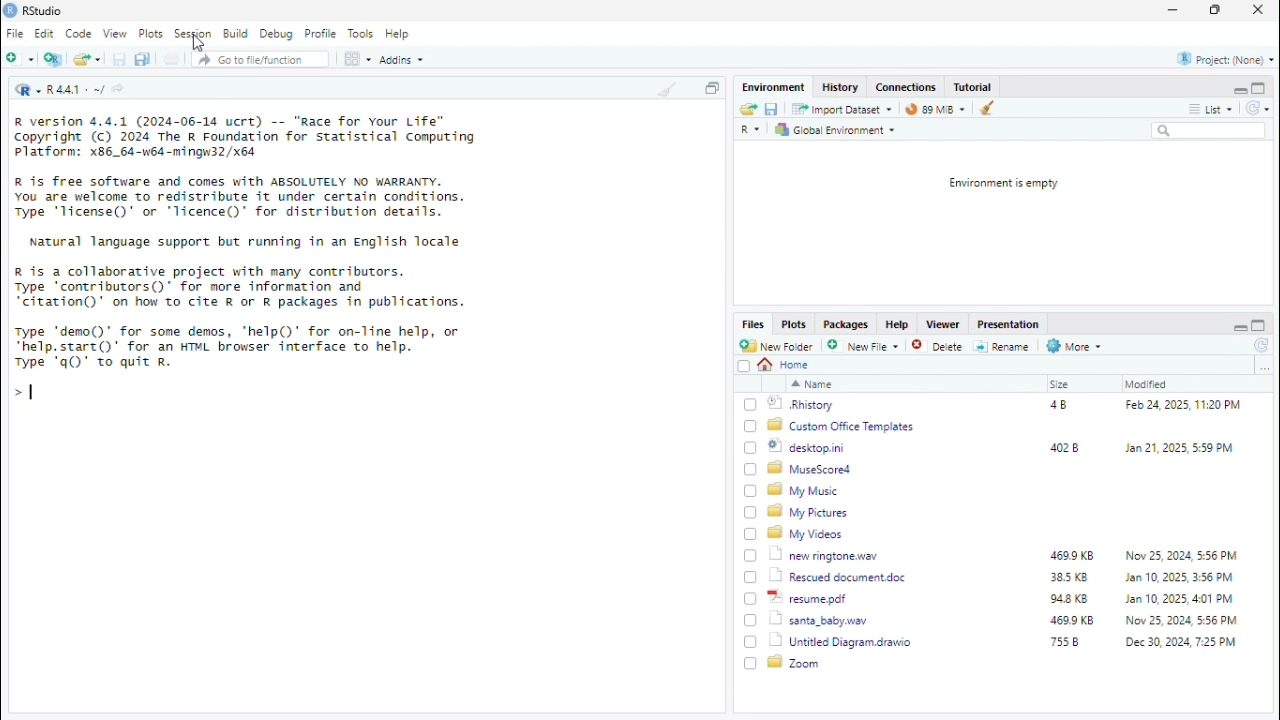 The height and width of the screenshot is (720, 1280). I want to click on Environment is empty, so click(1003, 184).